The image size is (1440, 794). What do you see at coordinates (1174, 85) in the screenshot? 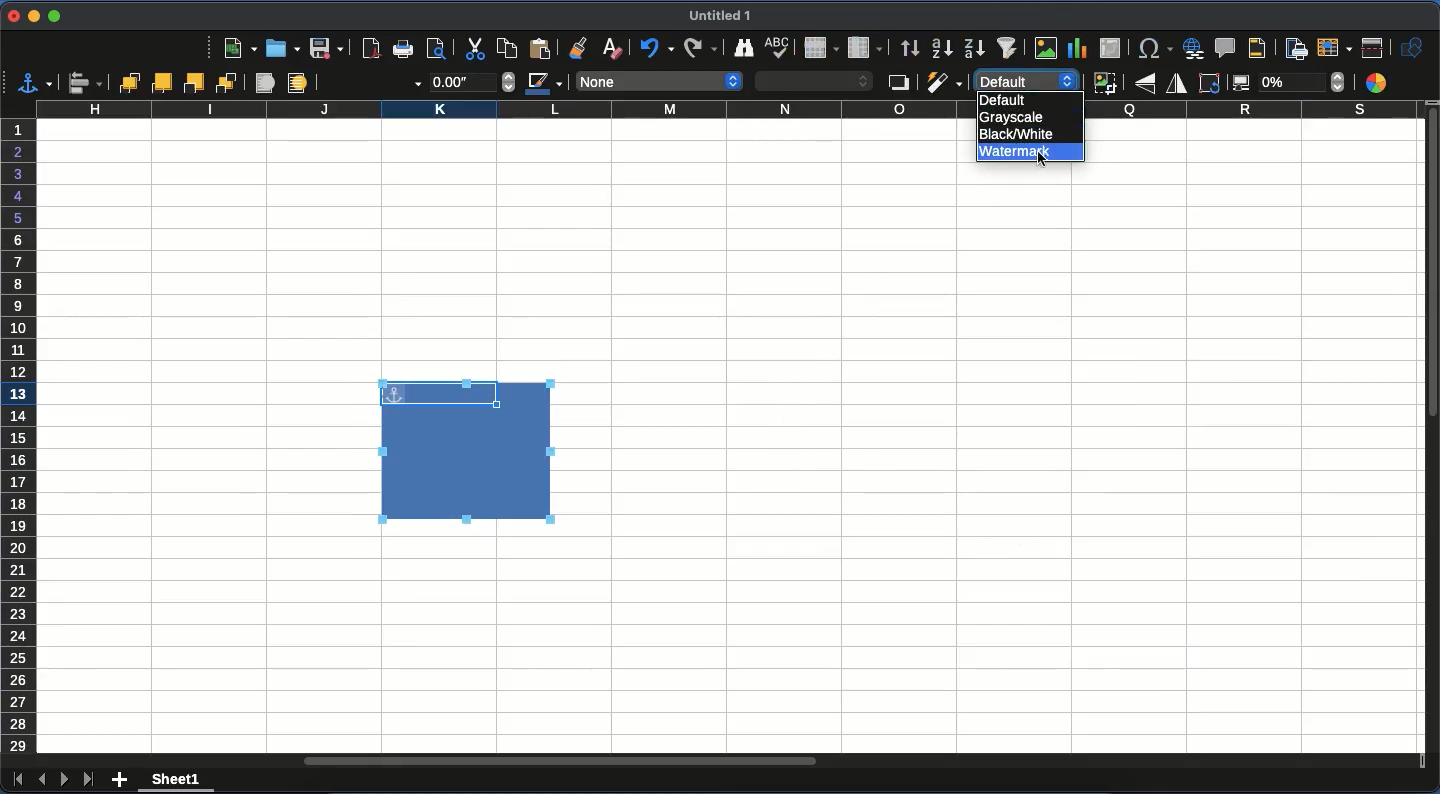
I see `flip horizontally` at bounding box center [1174, 85].